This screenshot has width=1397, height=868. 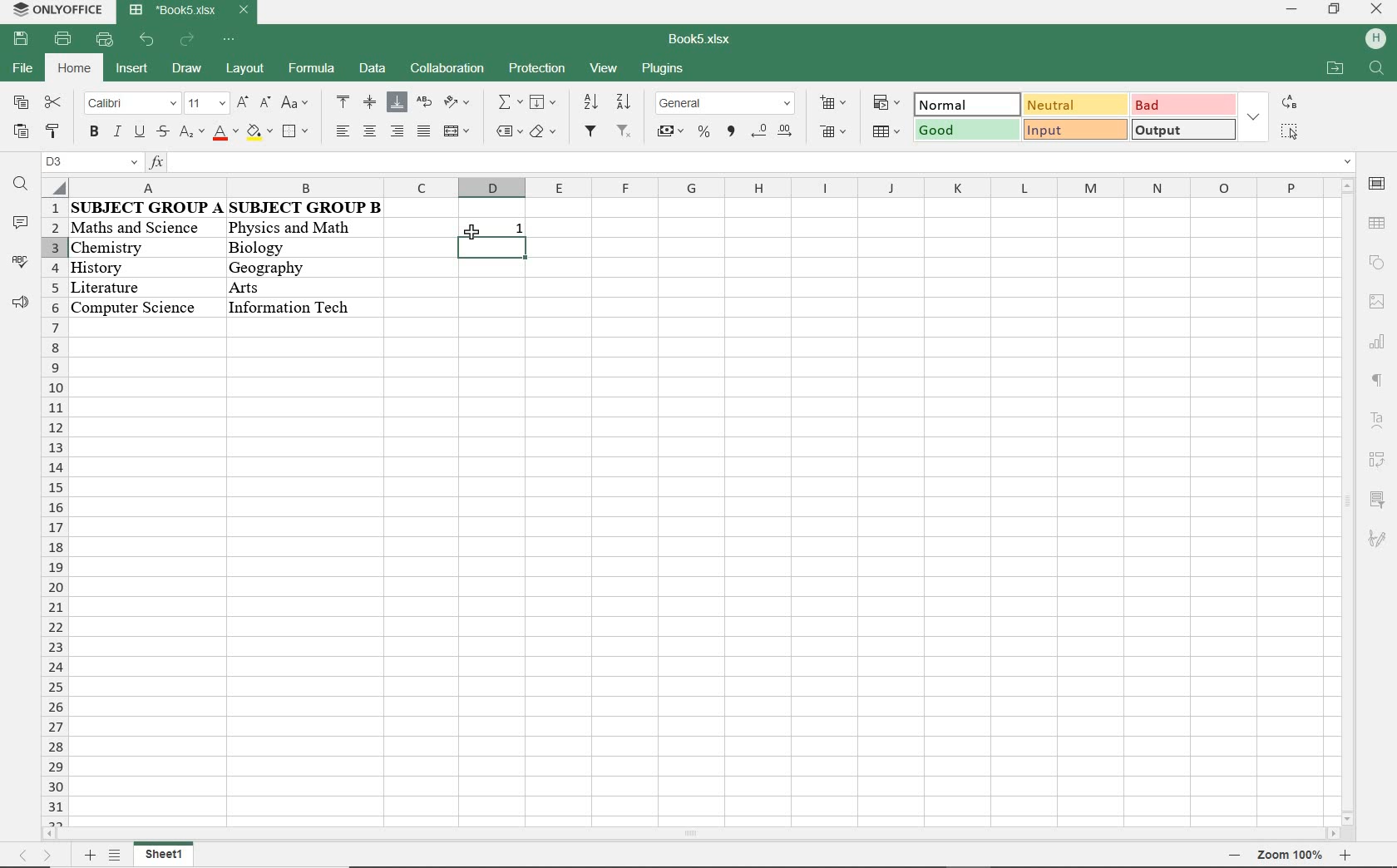 What do you see at coordinates (144, 228) in the screenshot?
I see `Cell A2` at bounding box center [144, 228].